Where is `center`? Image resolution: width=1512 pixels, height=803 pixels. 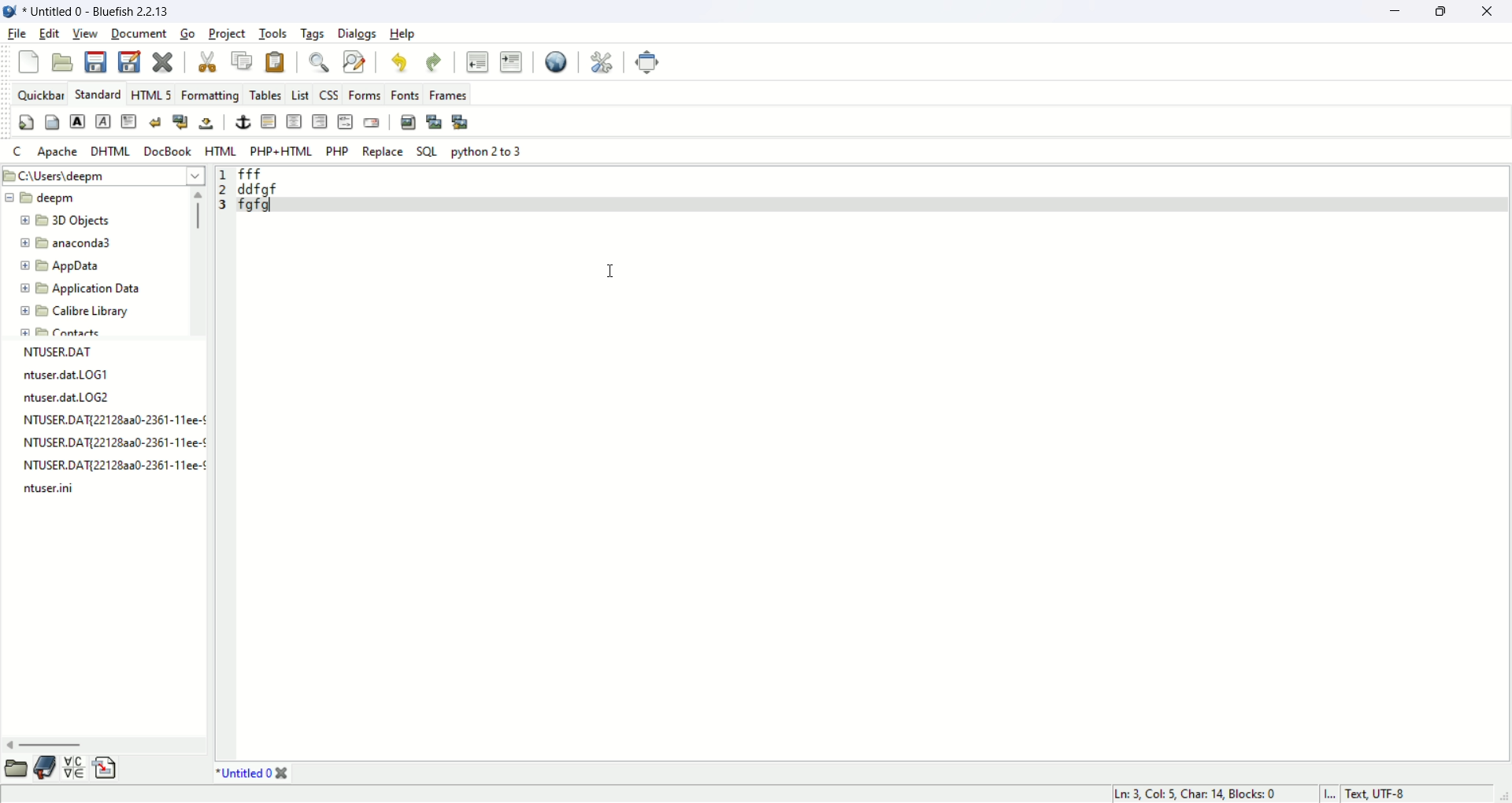 center is located at coordinates (294, 122).